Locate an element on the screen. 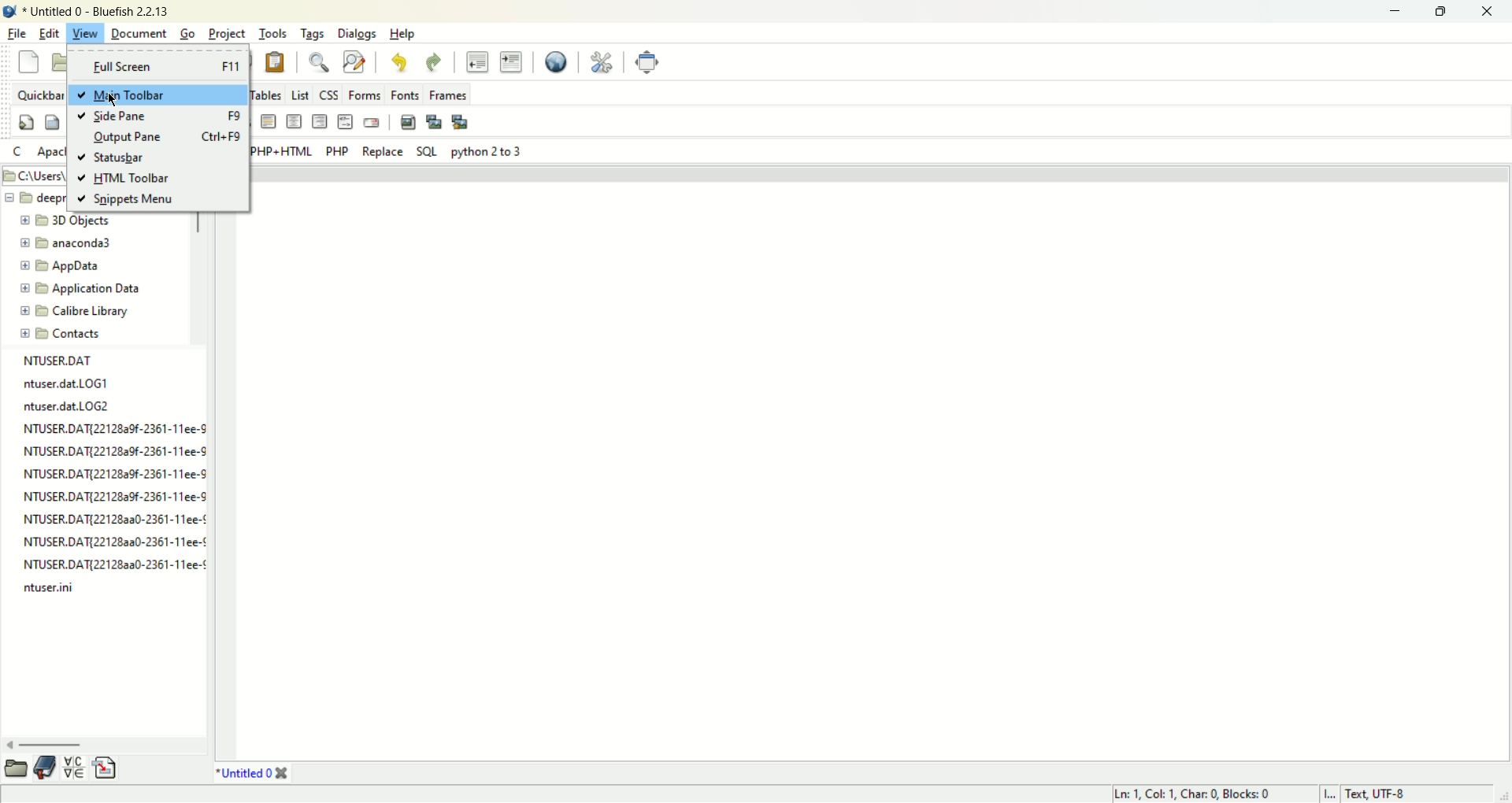 The image size is (1512, 803). horizontal scroll bar is located at coordinates (100, 743).